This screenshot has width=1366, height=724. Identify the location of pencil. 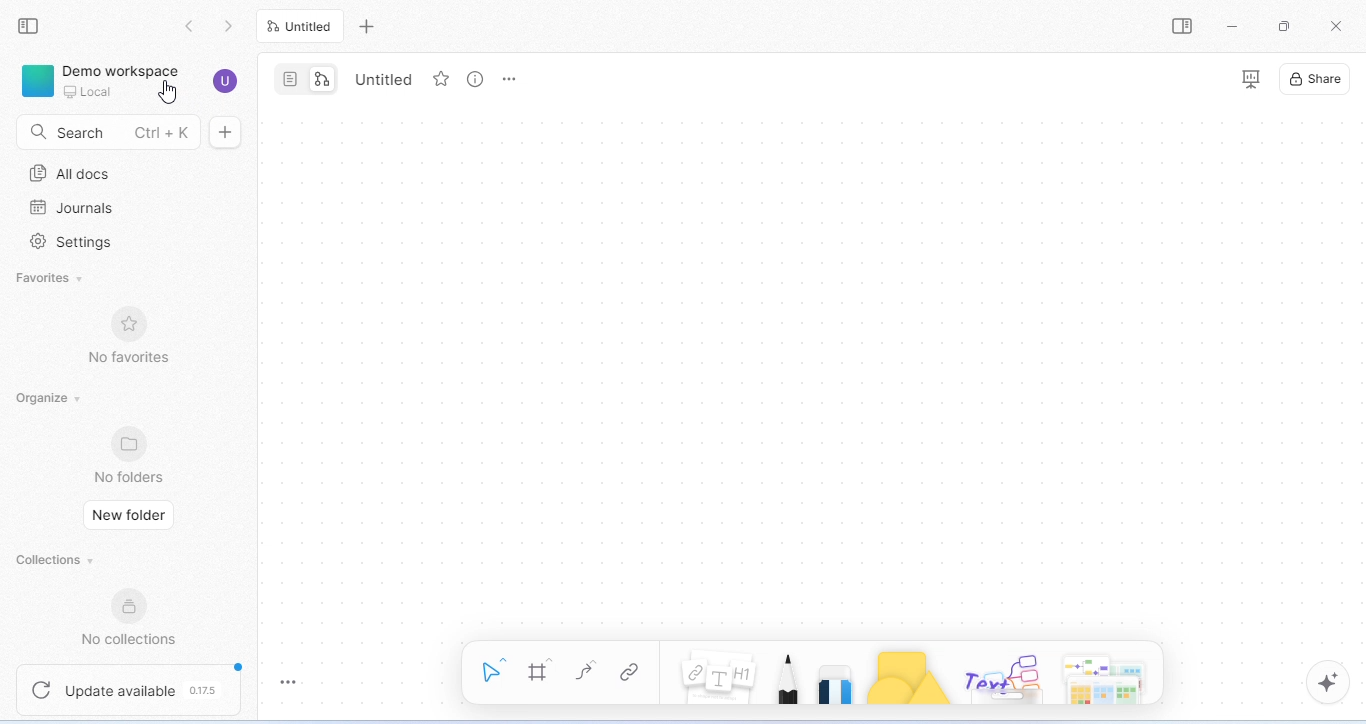
(790, 676).